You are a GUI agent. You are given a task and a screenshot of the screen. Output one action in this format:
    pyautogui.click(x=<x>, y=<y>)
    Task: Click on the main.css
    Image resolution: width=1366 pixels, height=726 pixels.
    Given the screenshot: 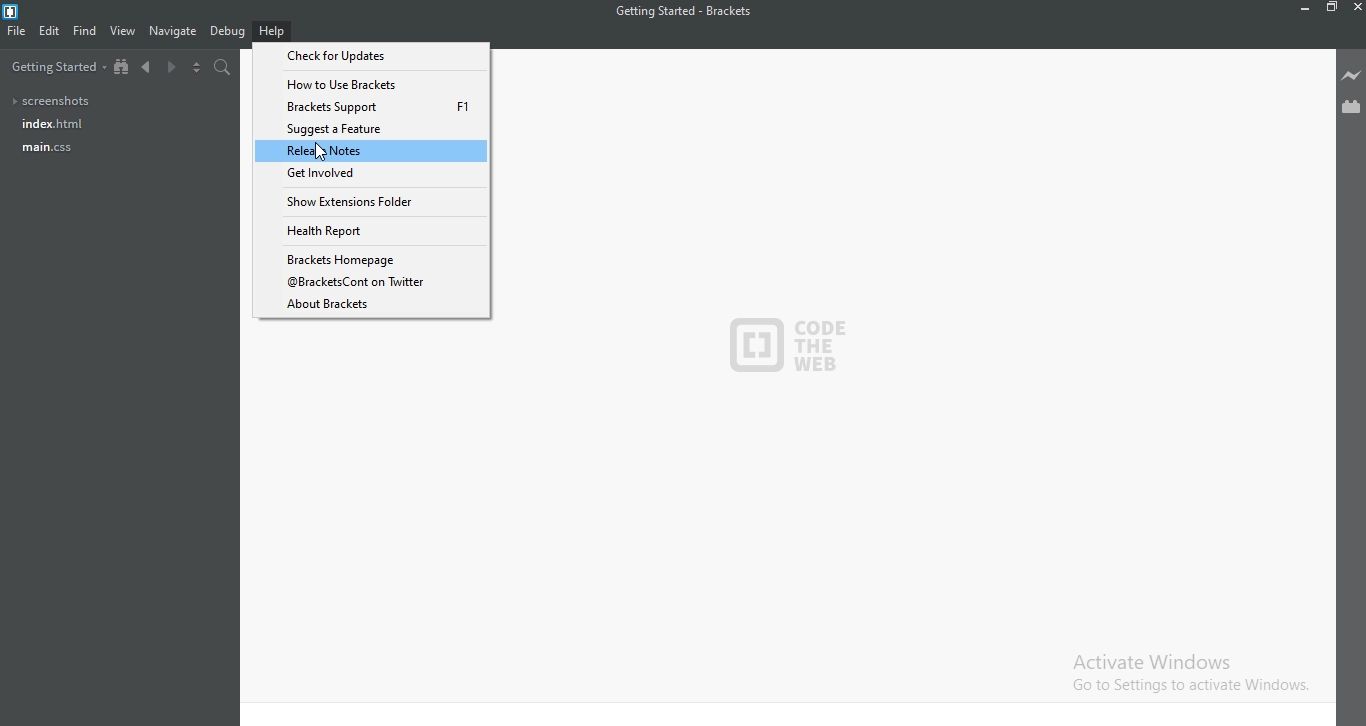 What is the action you would take?
    pyautogui.click(x=50, y=149)
    